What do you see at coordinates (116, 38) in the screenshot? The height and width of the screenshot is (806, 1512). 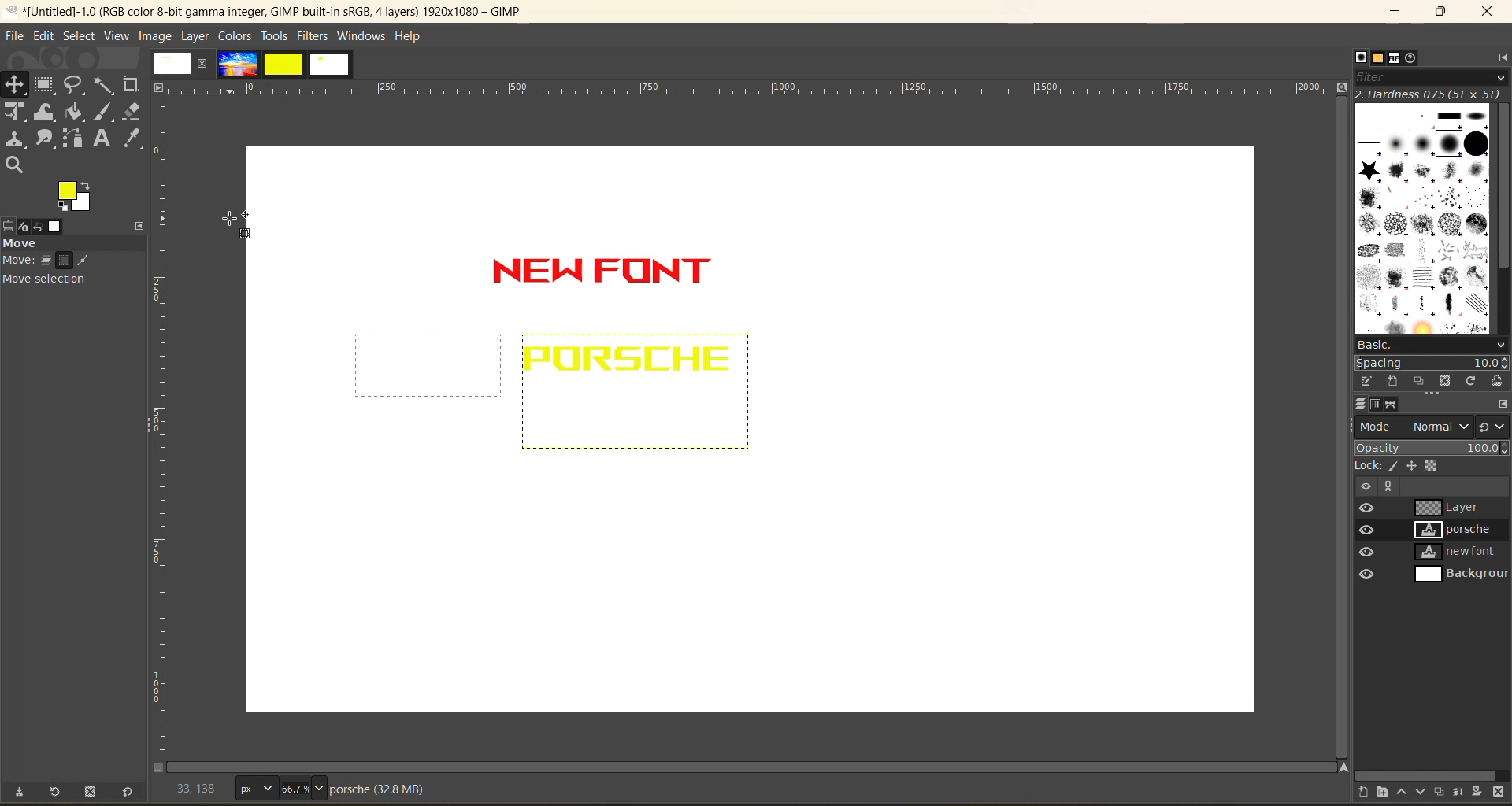 I see `view` at bounding box center [116, 38].